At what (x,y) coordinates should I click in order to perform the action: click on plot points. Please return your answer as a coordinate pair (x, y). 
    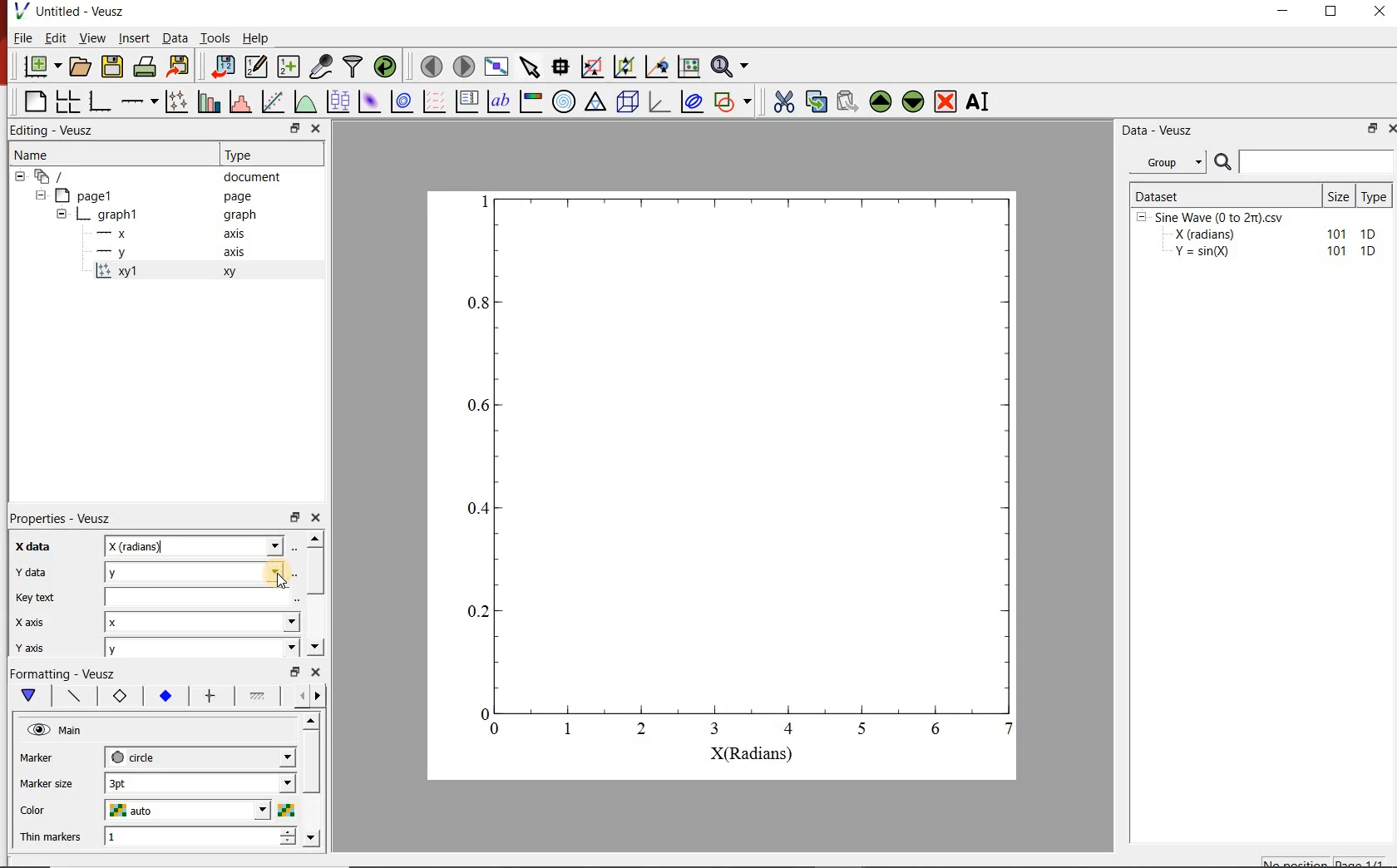
    Looking at the image, I should click on (179, 101).